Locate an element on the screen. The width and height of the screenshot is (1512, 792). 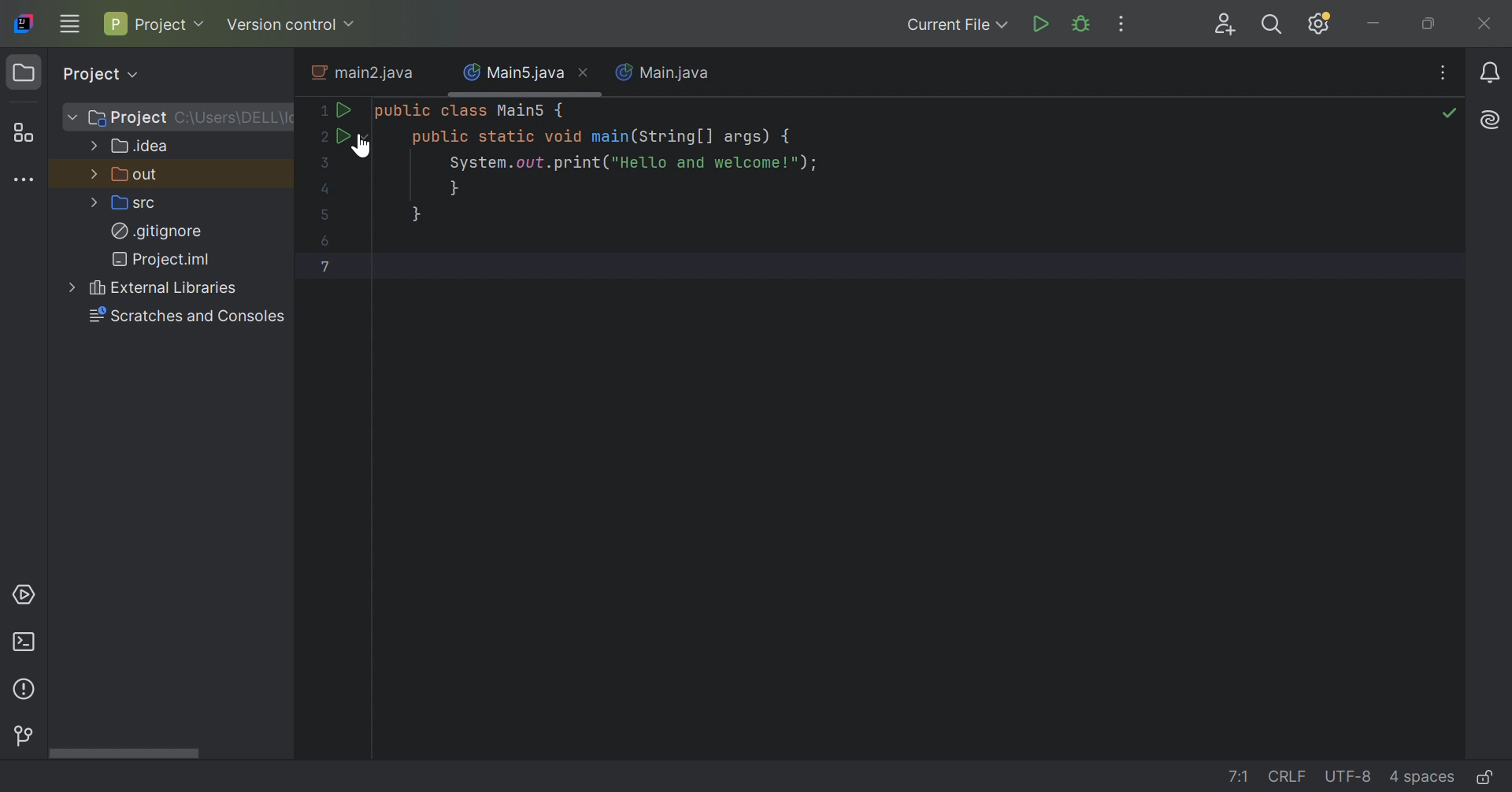
System.out.print("Hello and welcome!"); is located at coordinates (633, 164).